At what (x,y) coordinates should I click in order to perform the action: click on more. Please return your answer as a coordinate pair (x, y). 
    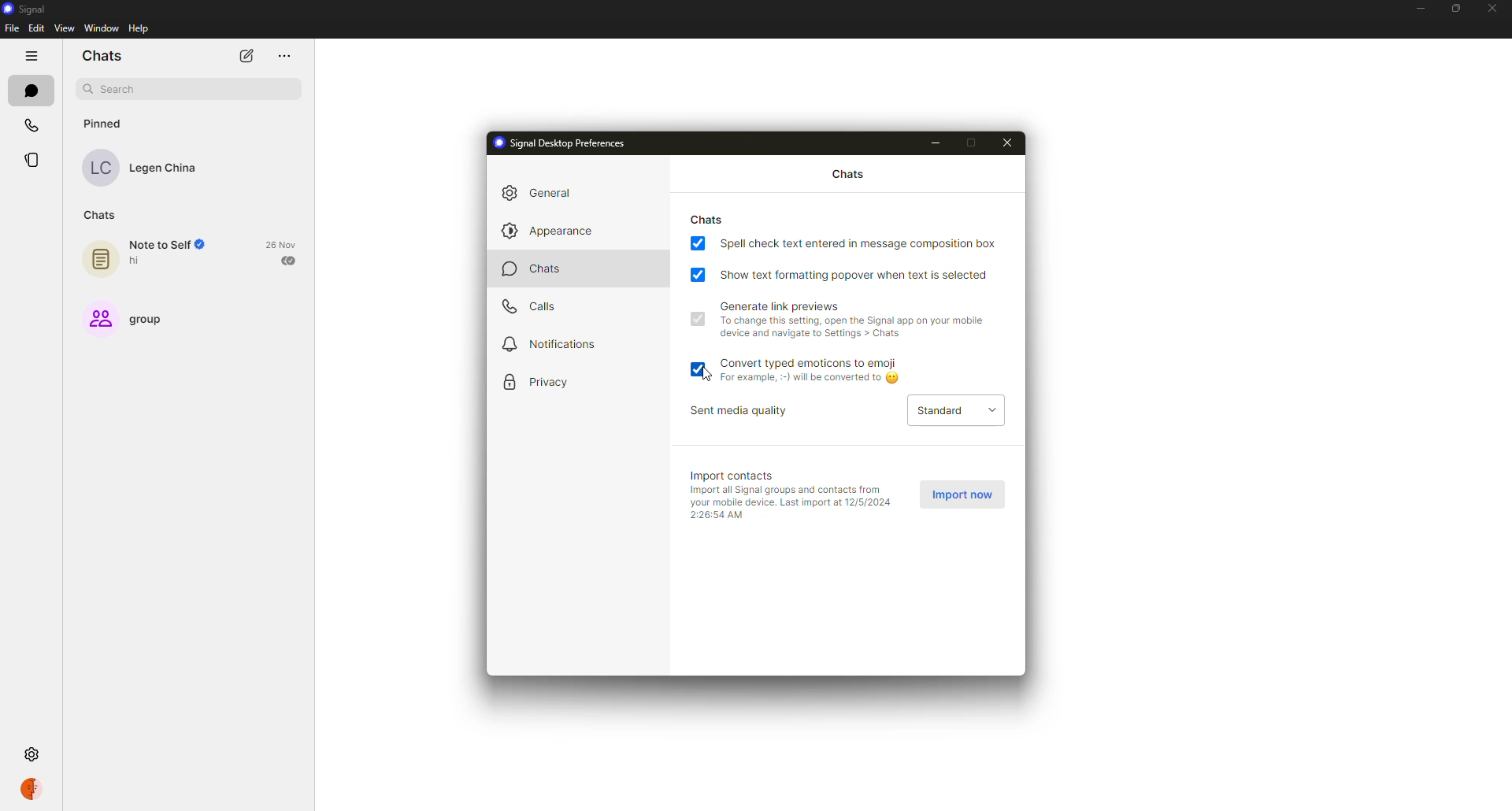
    Looking at the image, I should click on (287, 55).